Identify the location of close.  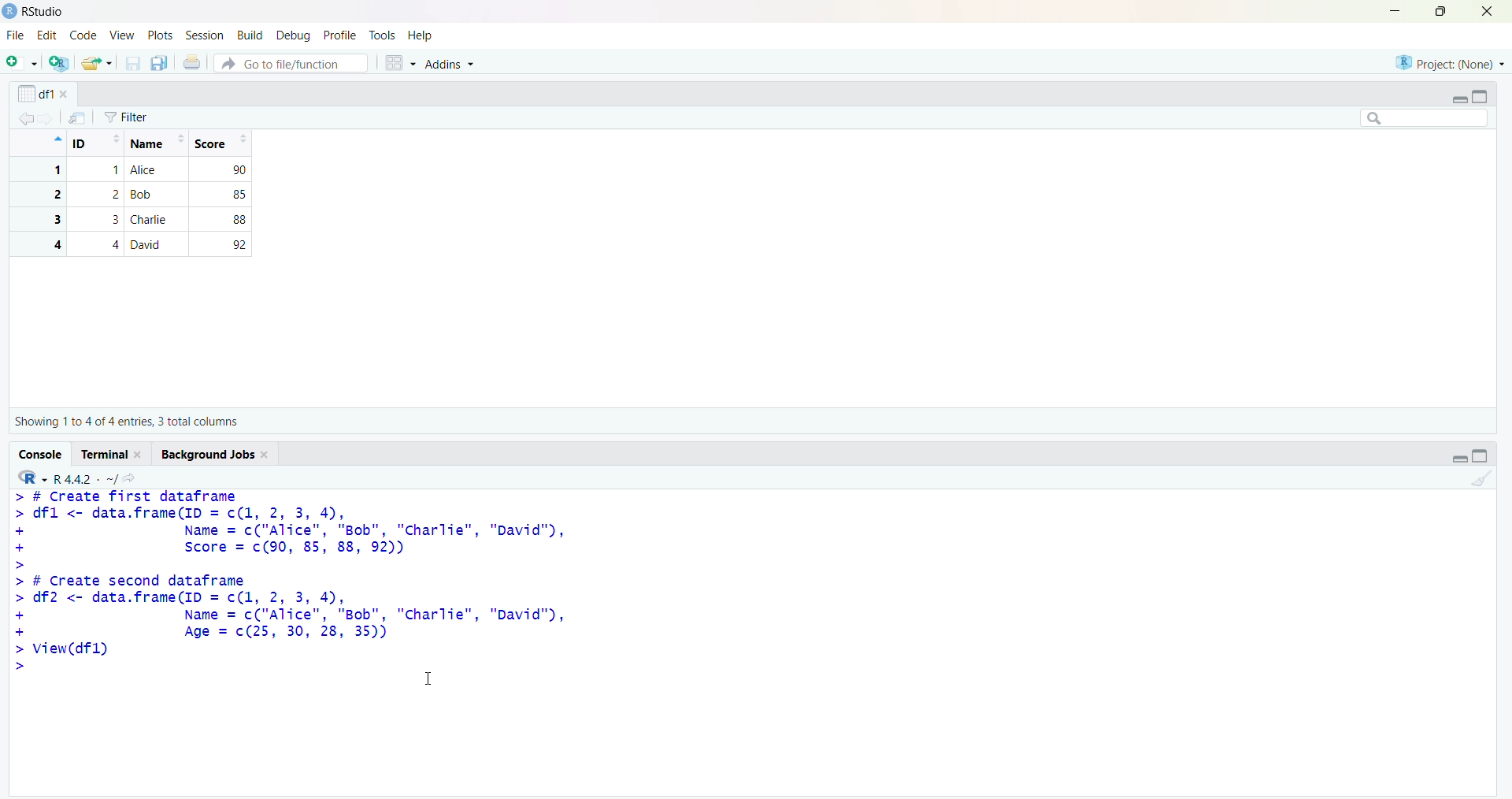
(267, 455).